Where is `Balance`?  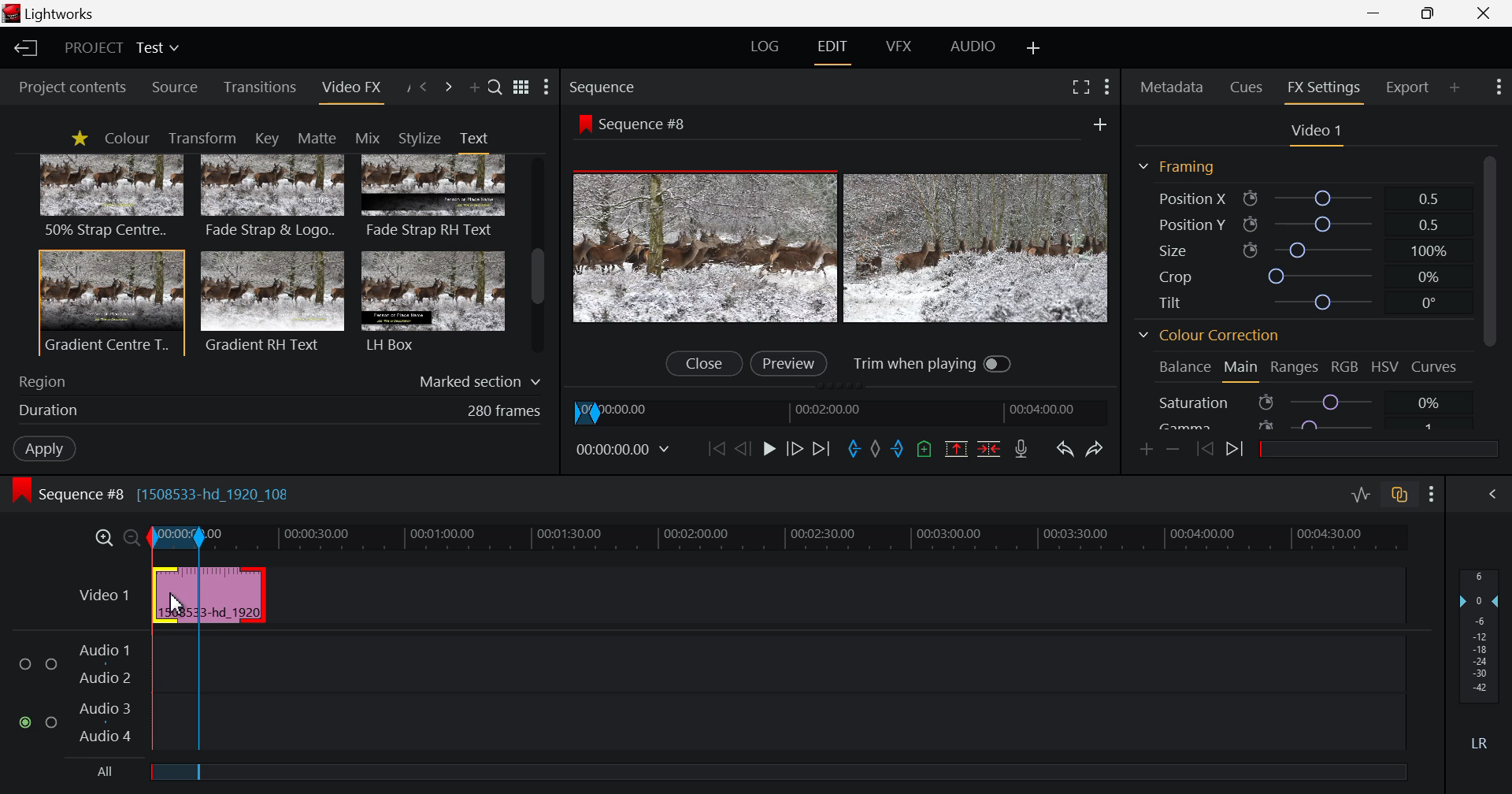
Balance is located at coordinates (1184, 366).